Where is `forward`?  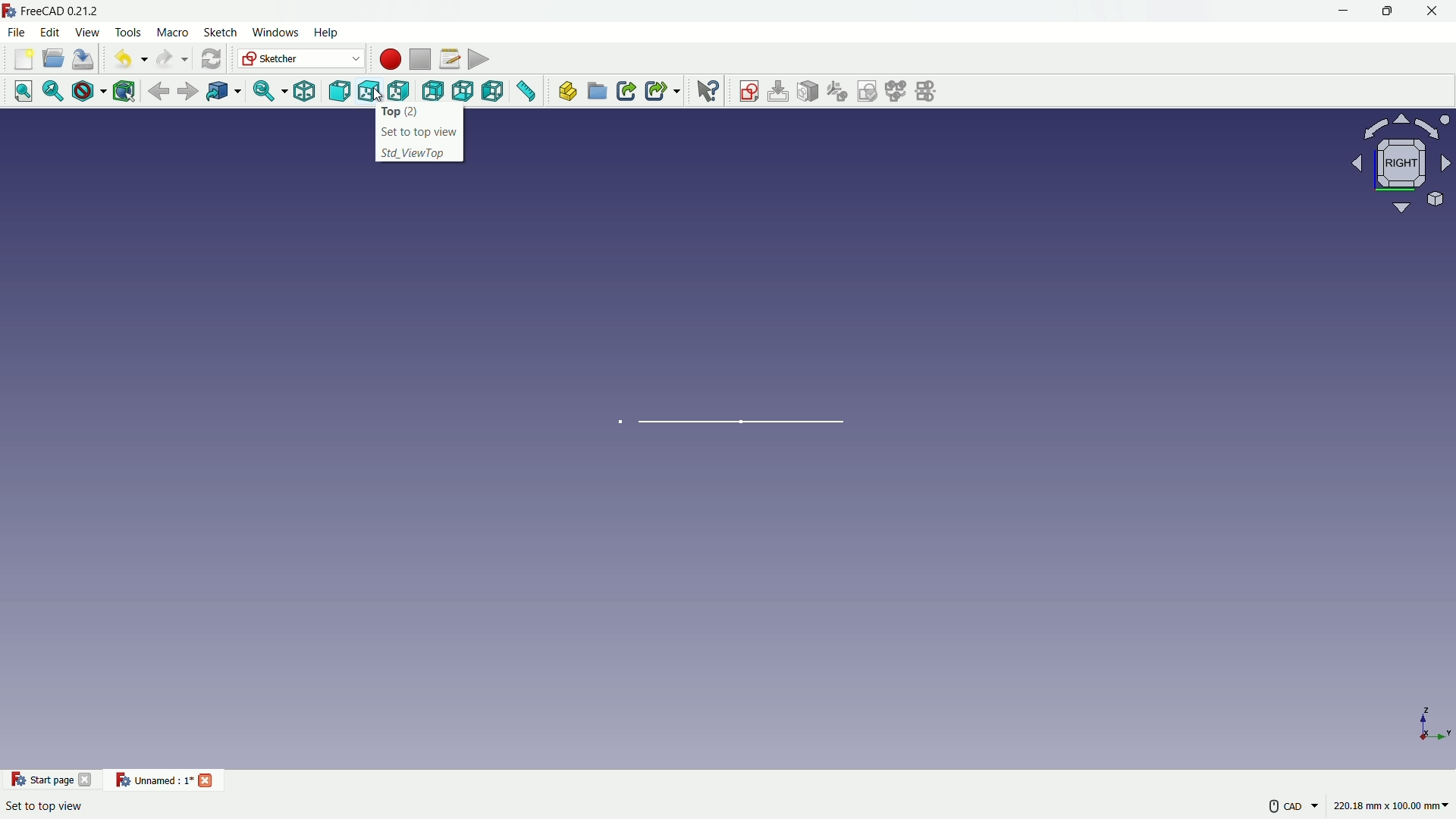
forward is located at coordinates (189, 91).